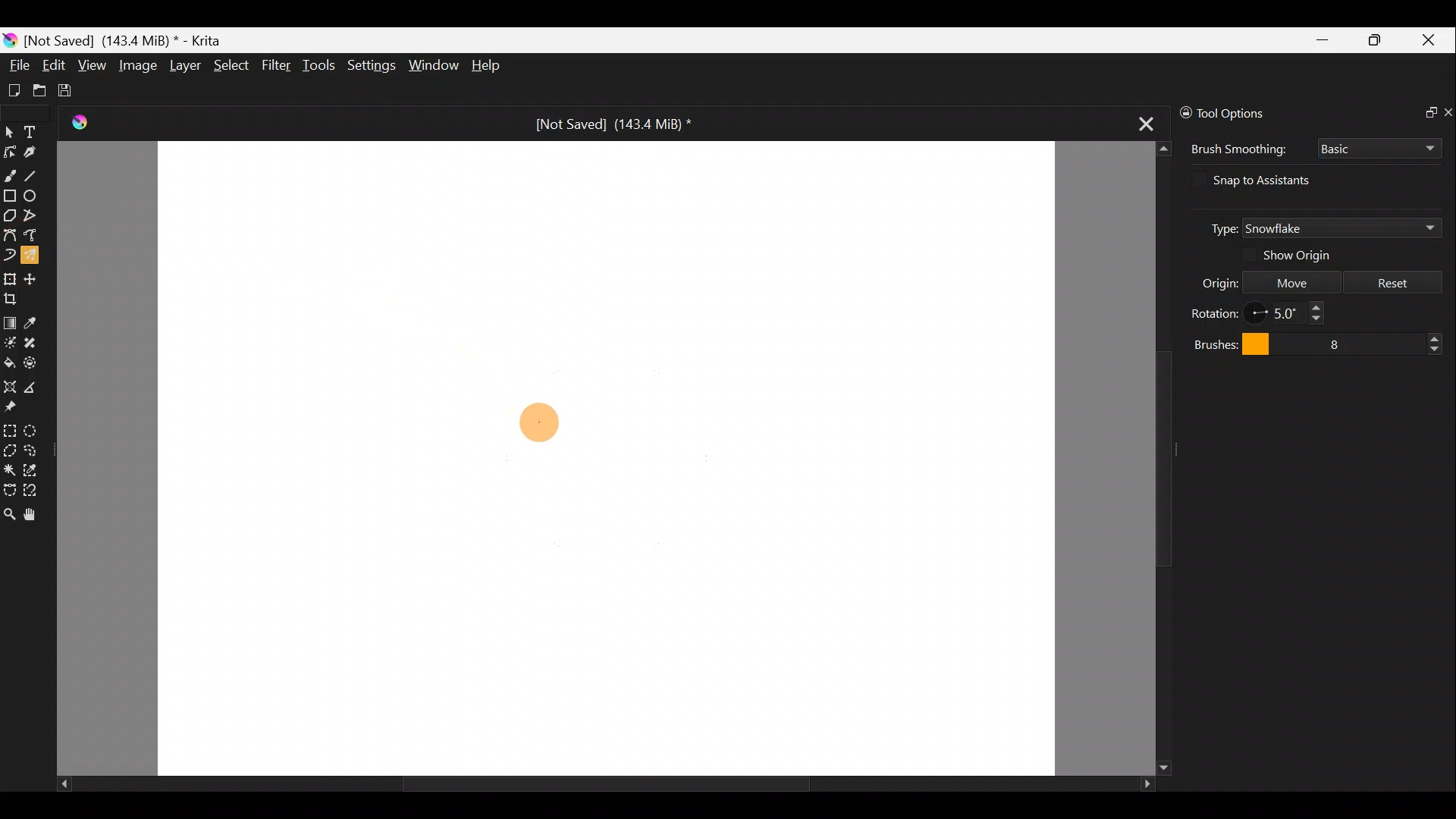  Describe the element at coordinates (32, 342) in the screenshot. I see `Smart patch tool` at that location.